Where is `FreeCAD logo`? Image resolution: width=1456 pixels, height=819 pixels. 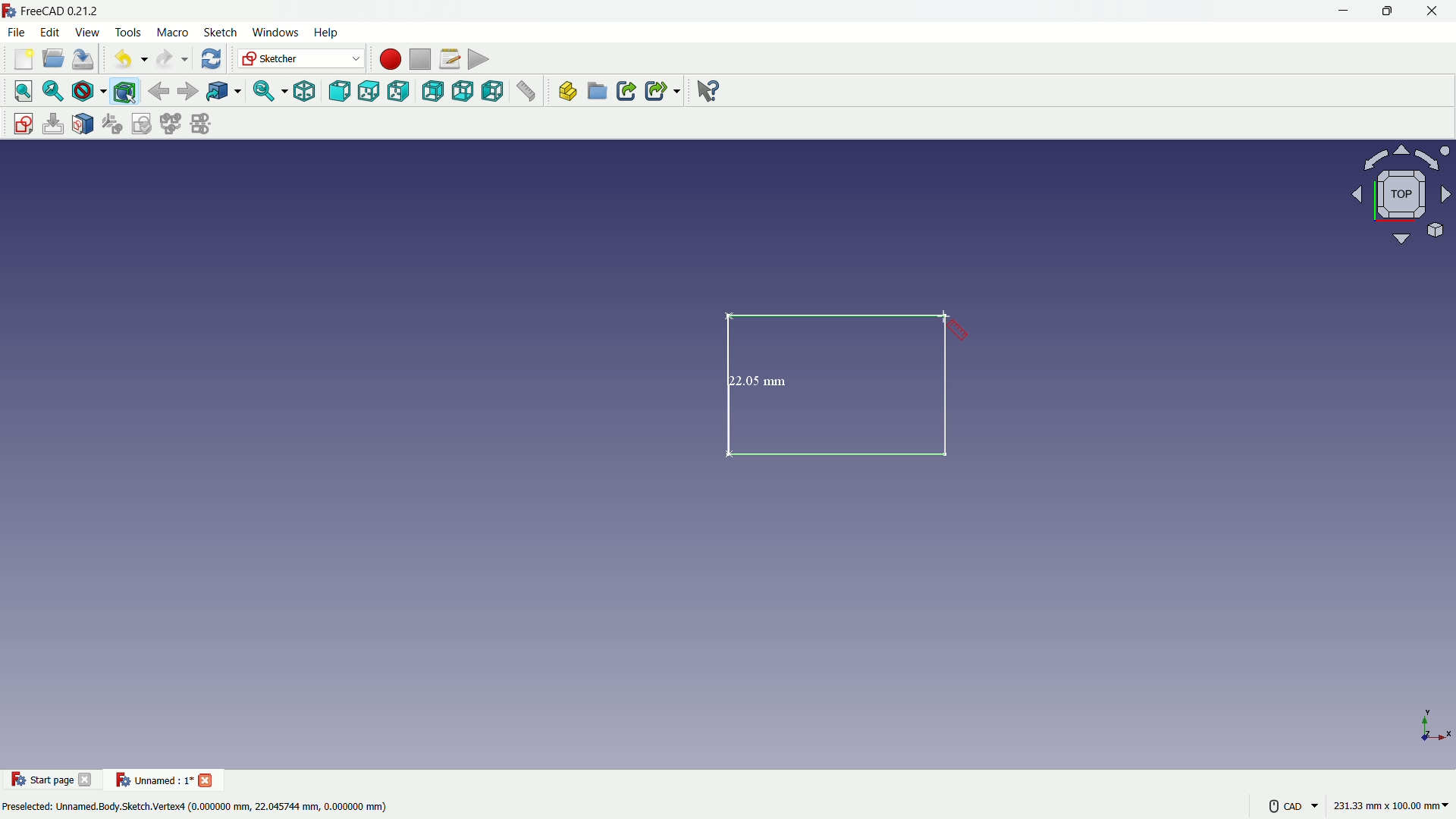
FreeCAD logo is located at coordinates (9, 11).